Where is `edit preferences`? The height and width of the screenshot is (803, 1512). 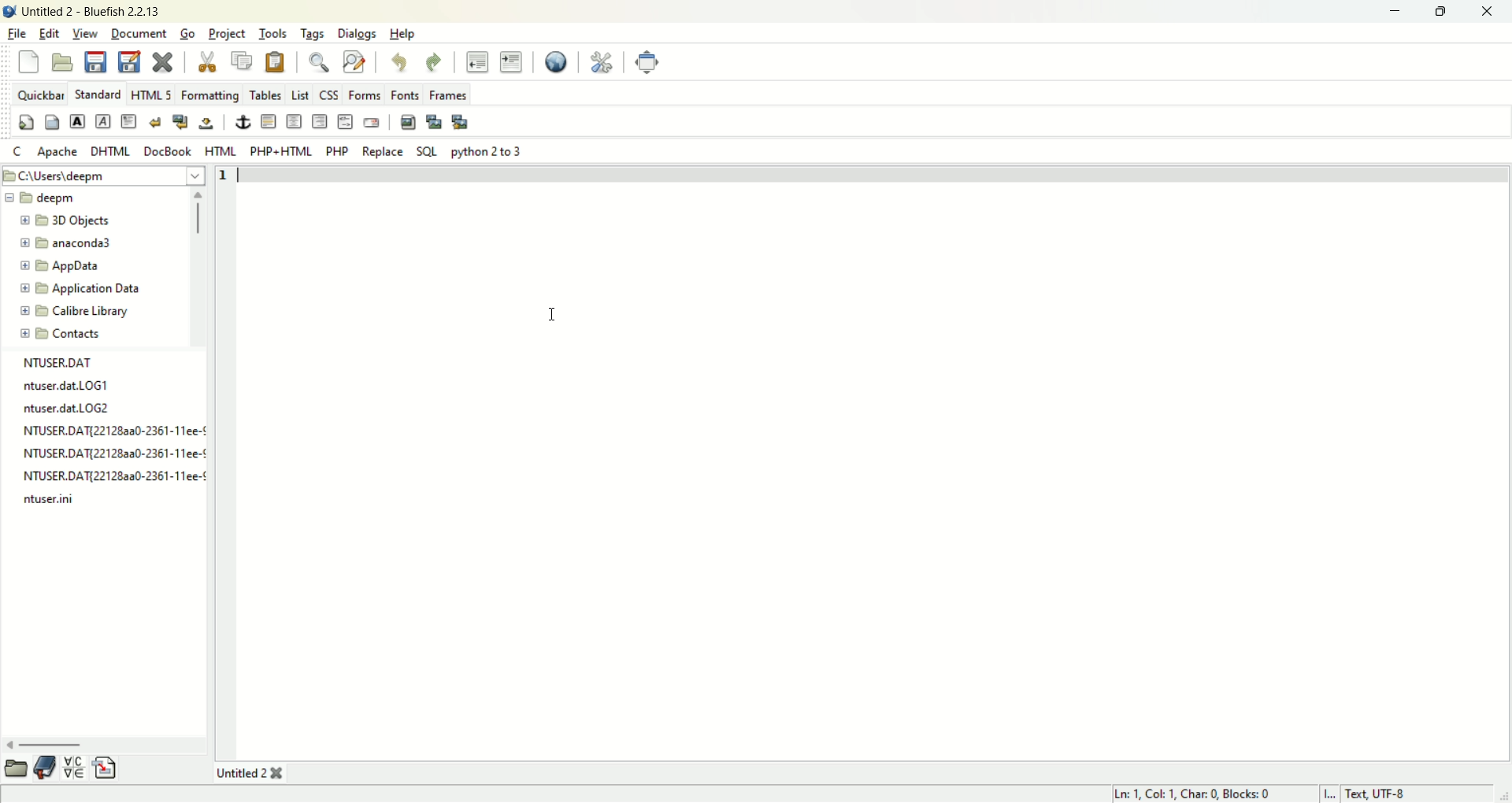
edit preferences is located at coordinates (602, 60).